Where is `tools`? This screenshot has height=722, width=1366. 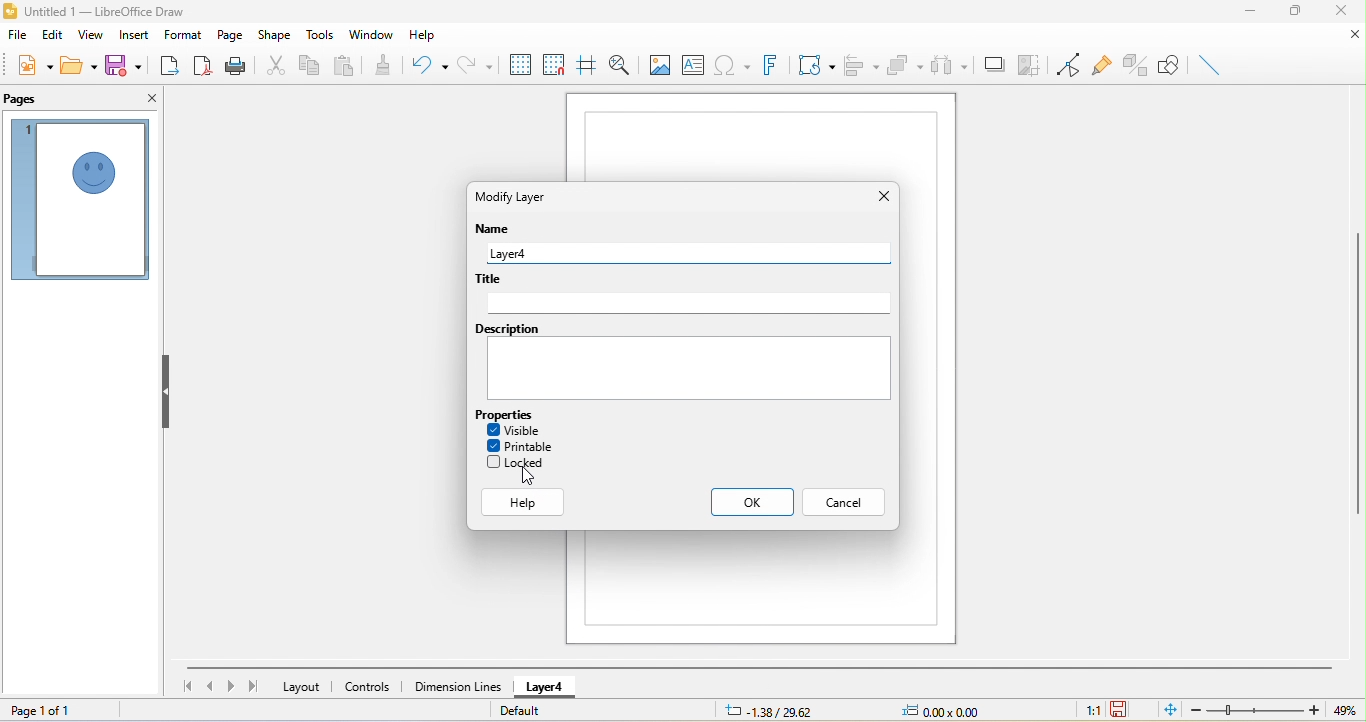
tools is located at coordinates (322, 35).